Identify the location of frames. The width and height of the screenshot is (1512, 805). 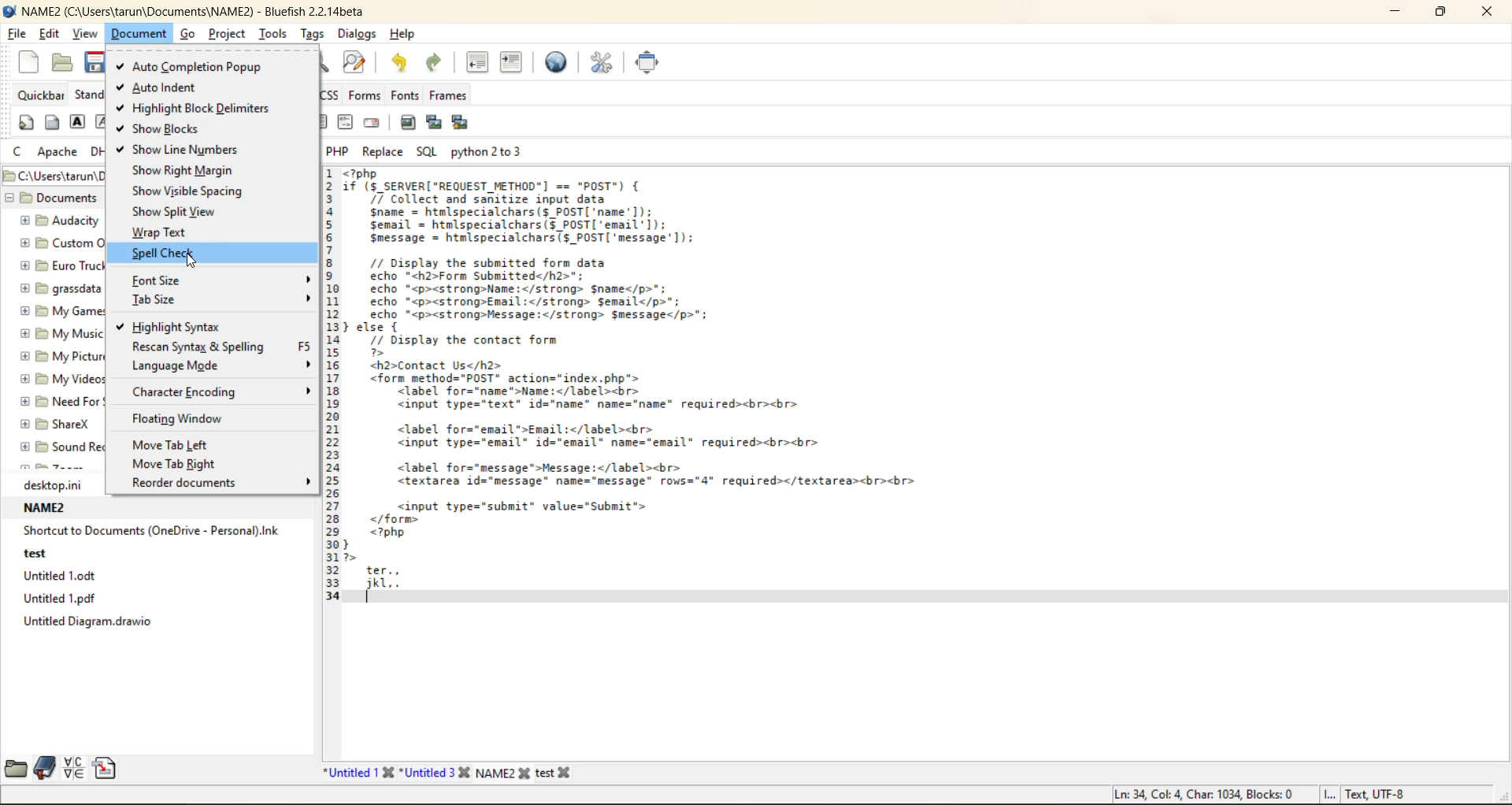
(447, 95).